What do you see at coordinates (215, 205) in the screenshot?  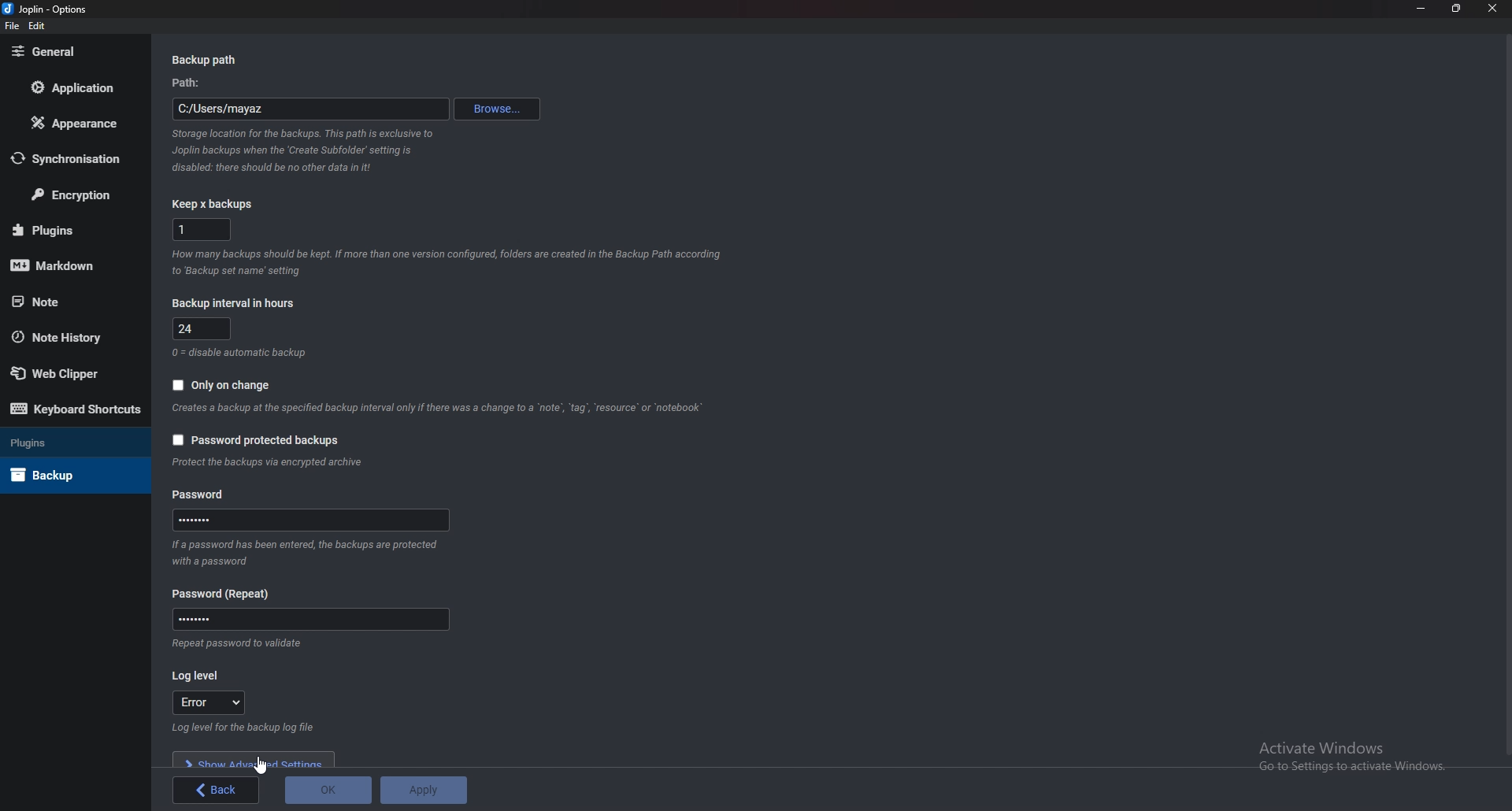 I see `Keep X backups` at bounding box center [215, 205].